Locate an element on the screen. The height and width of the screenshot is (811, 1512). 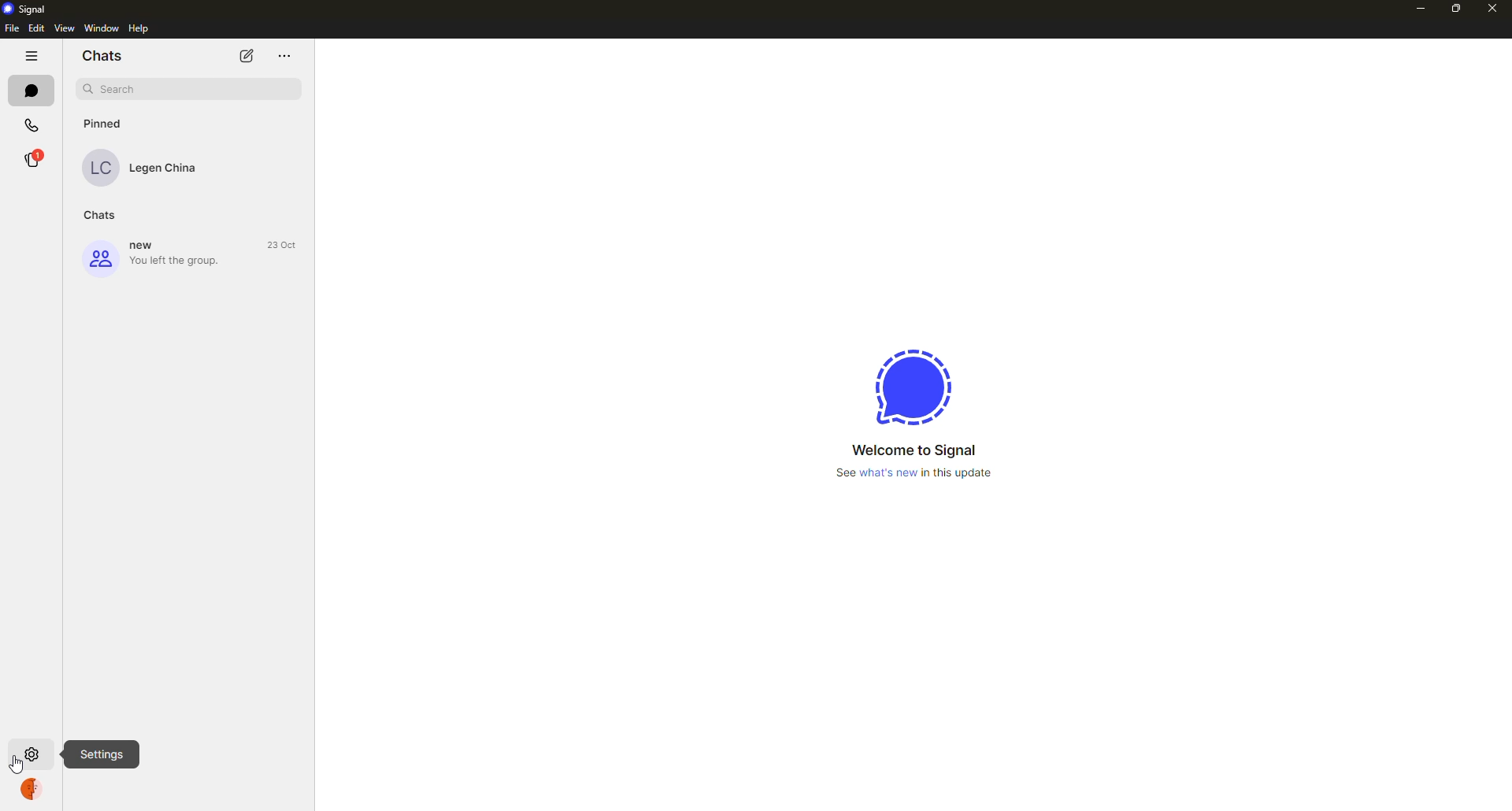
Chats is located at coordinates (100, 55).